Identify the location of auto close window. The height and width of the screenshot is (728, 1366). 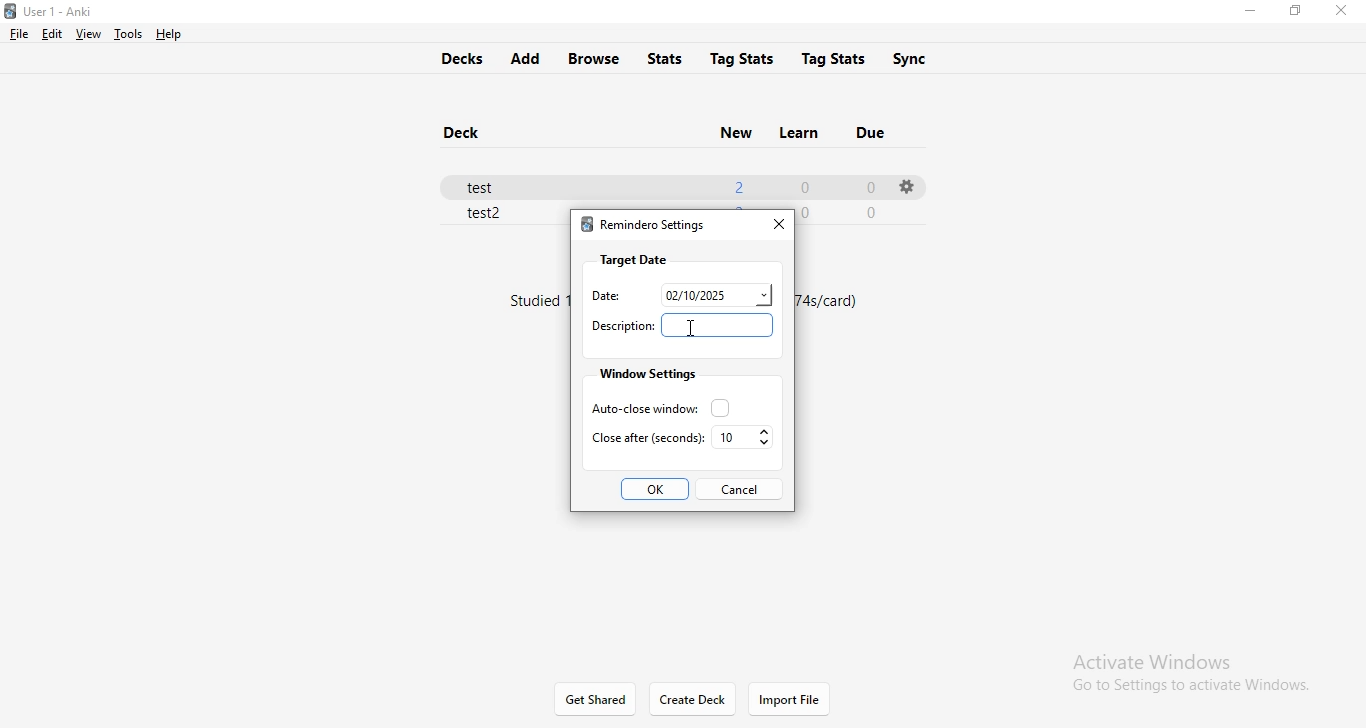
(655, 407).